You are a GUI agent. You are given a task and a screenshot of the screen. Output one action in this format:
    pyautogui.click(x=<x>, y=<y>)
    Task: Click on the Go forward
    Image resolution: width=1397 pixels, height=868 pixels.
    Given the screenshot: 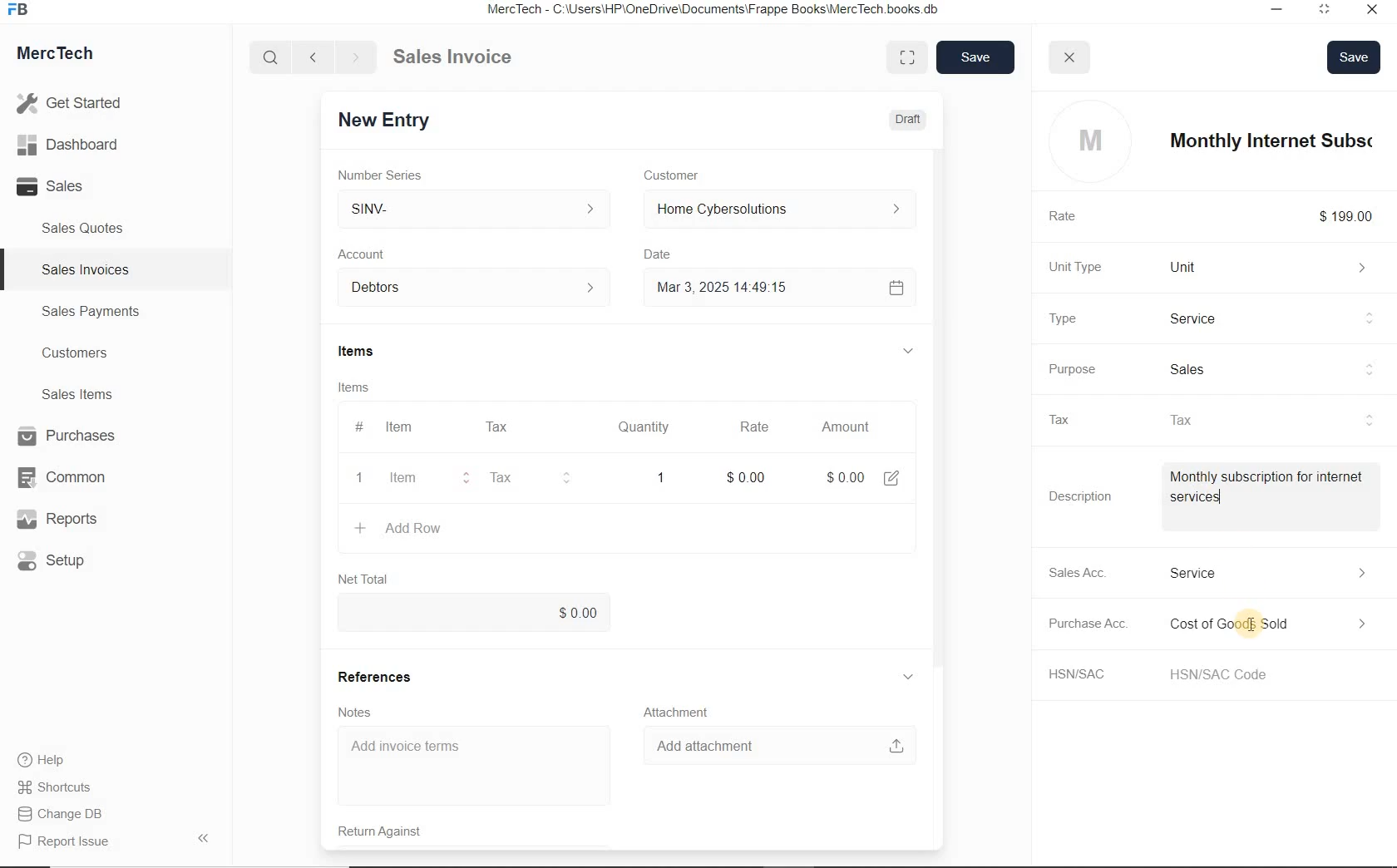 What is the action you would take?
    pyautogui.click(x=355, y=57)
    